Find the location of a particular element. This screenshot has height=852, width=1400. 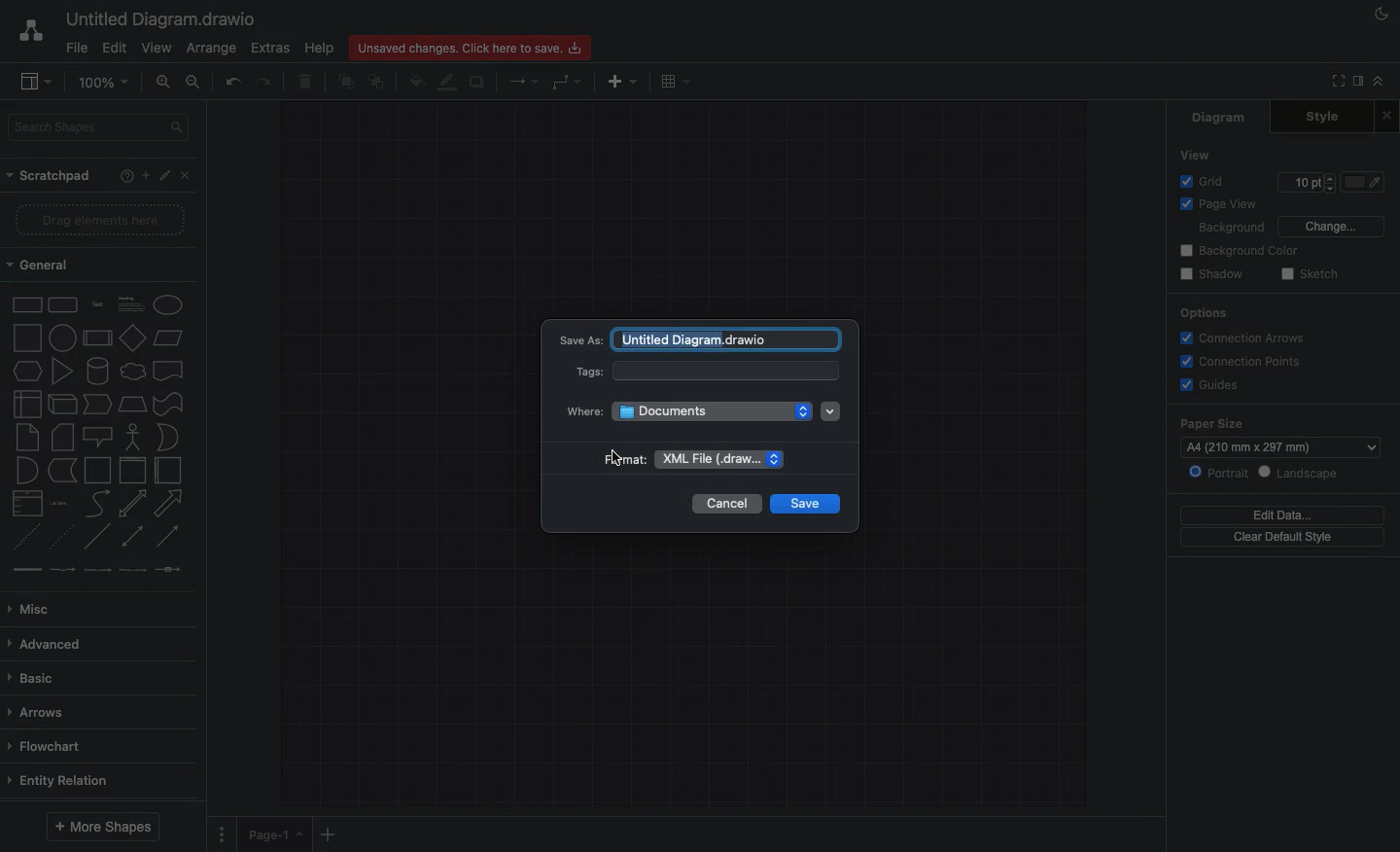

Trash is located at coordinates (305, 83).